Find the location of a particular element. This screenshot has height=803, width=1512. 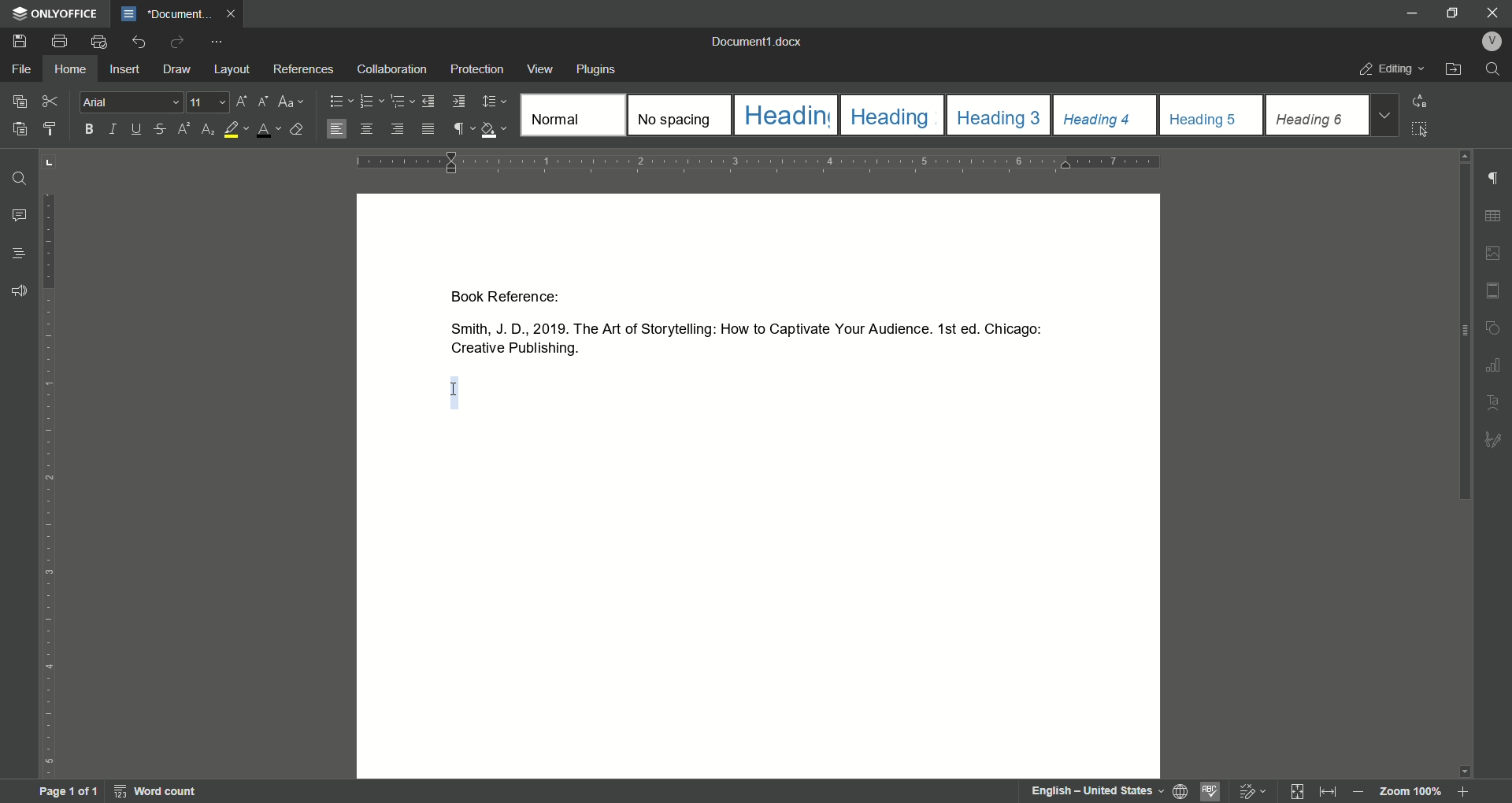

onlyoffice logo is located at coordinates (56, 13).